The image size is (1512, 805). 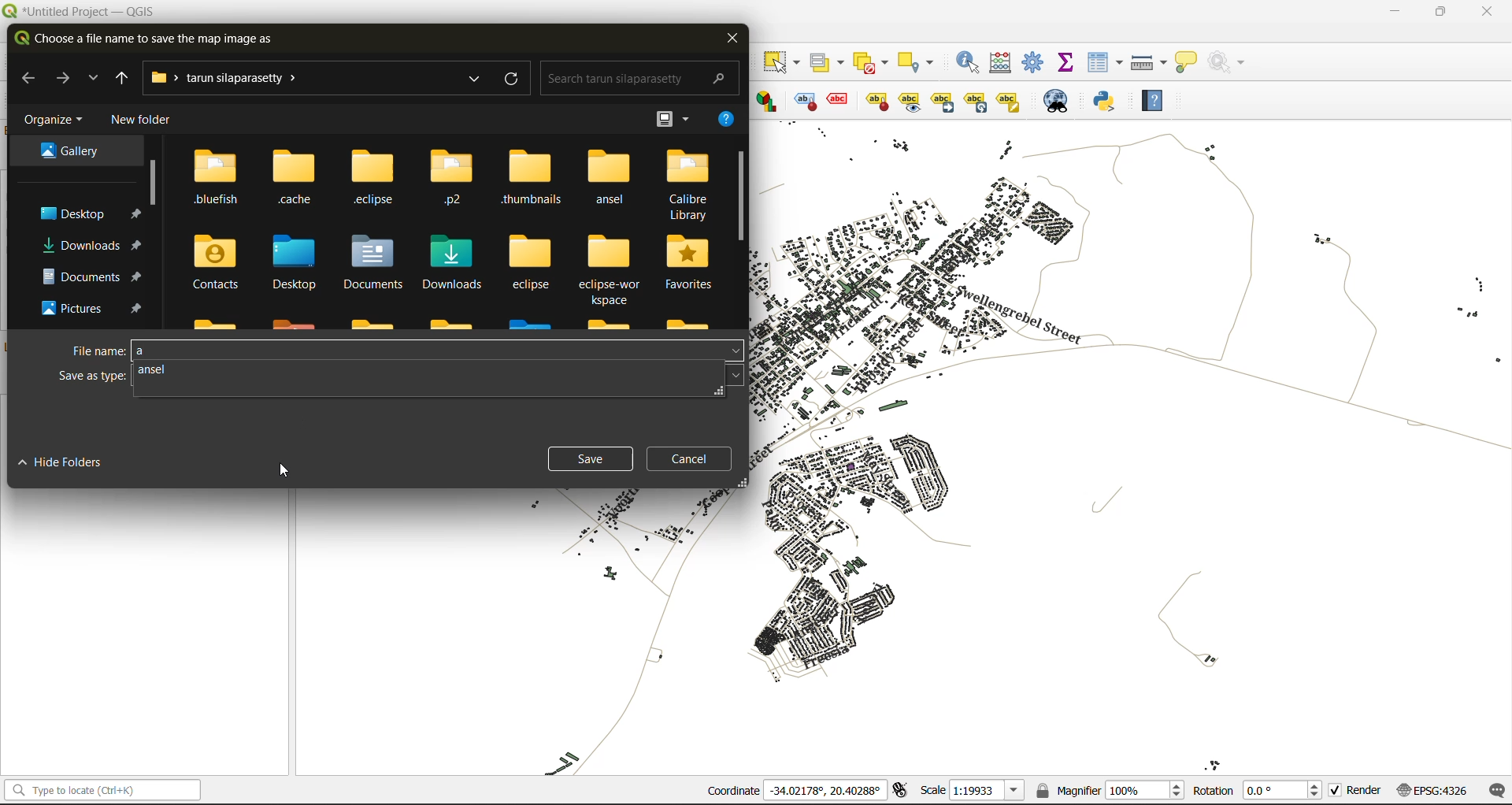 I want to click on view, so click(x=673, y=117).